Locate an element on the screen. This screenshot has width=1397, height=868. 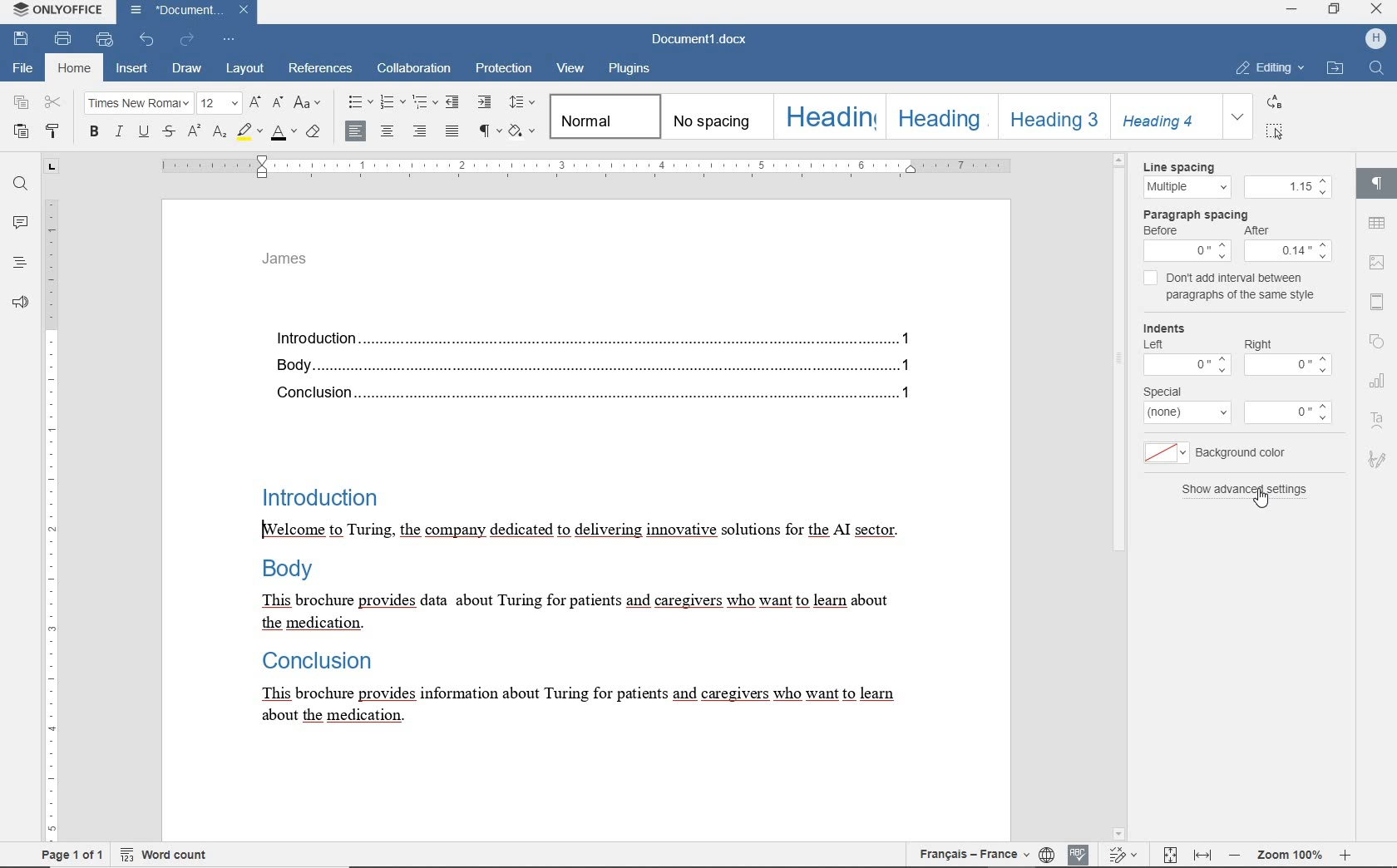
Conclusion is located at coordinates (328, 662).